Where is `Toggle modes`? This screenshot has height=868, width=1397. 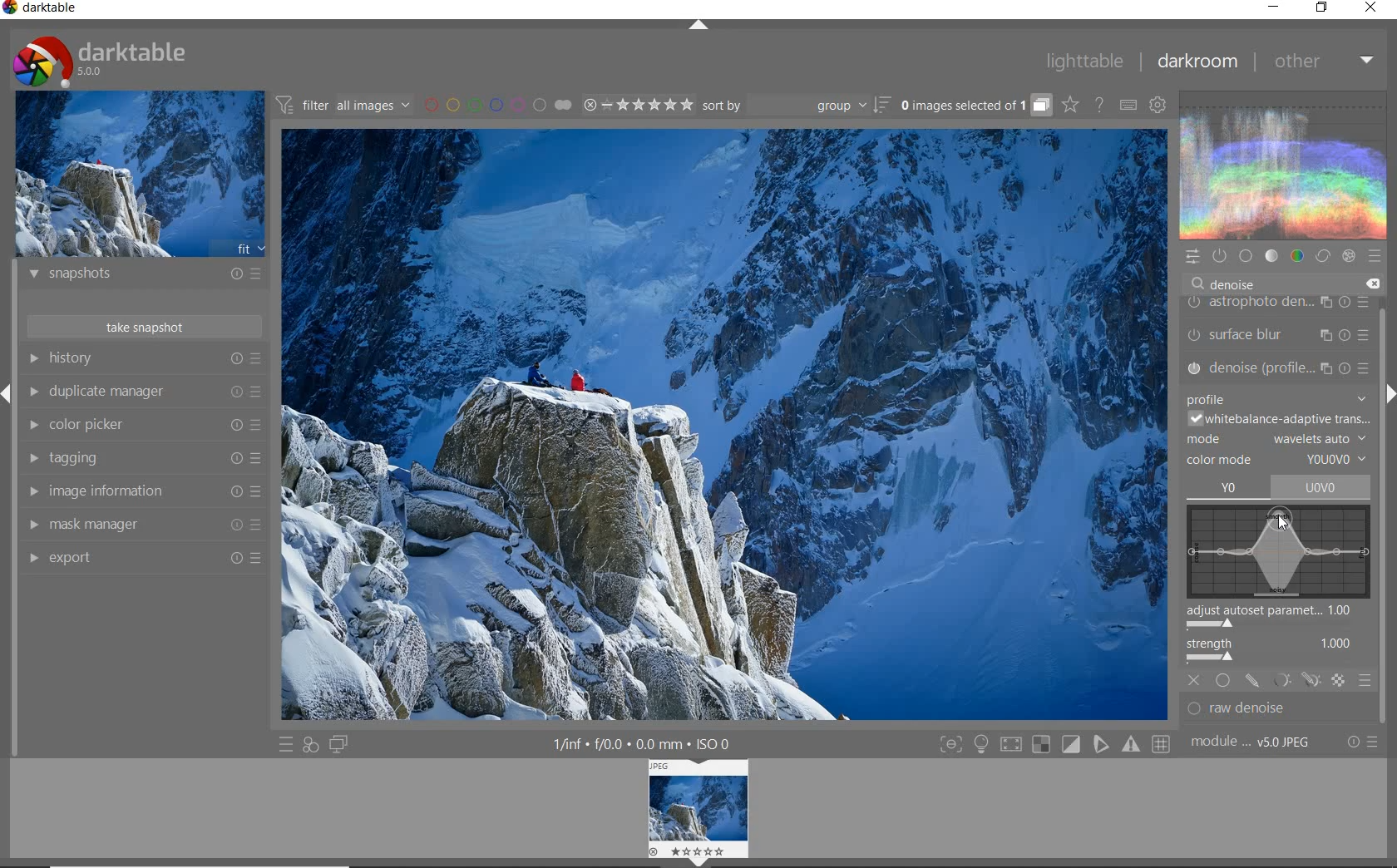
Toggle modes is located at coordinates (1054, 742).